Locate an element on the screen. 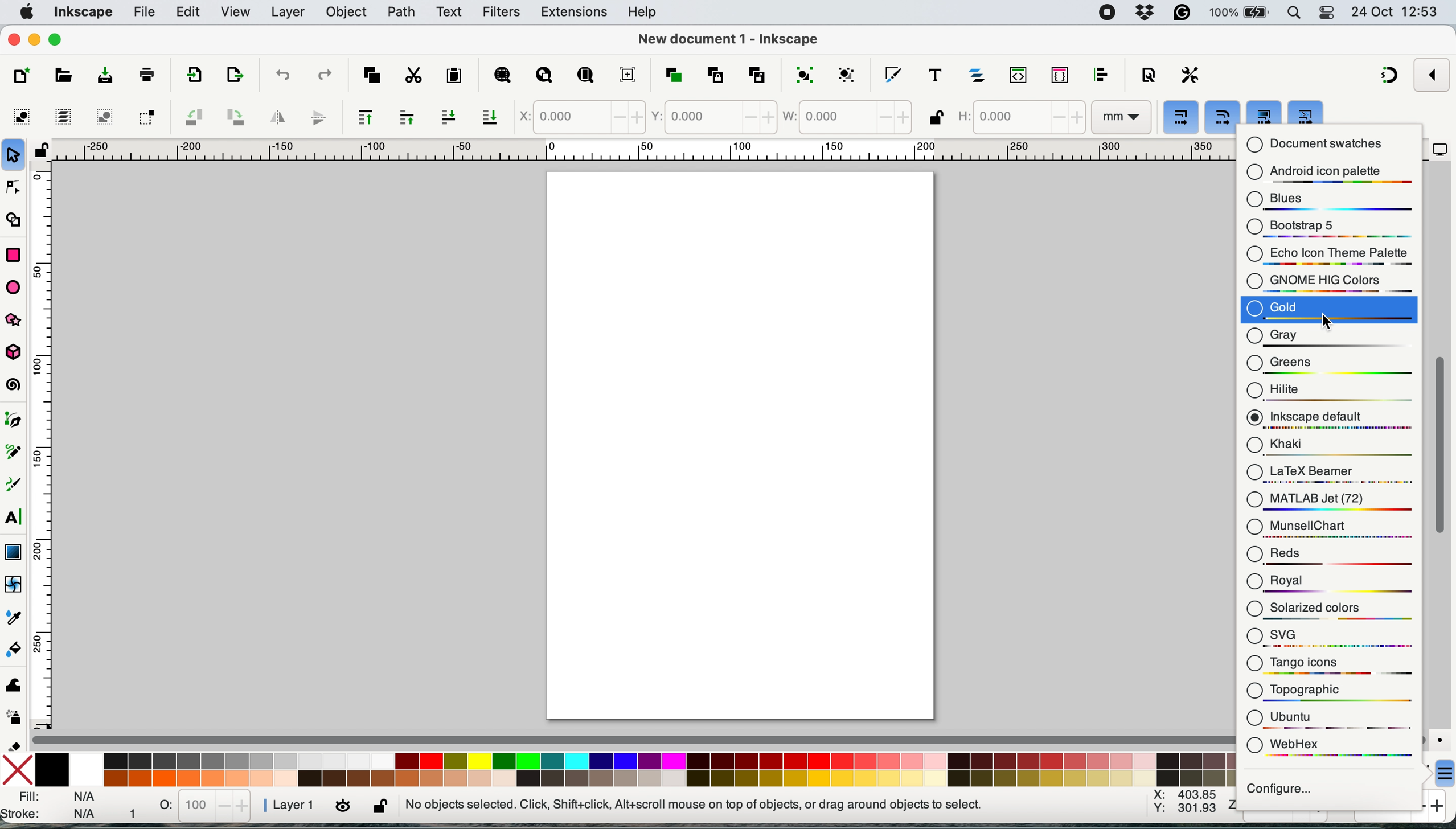  No objects selected. Click, Shift + Click, Alt + Scroll mouse on top of objects, or drag around objects to select. is located at coordinates (698, 803).